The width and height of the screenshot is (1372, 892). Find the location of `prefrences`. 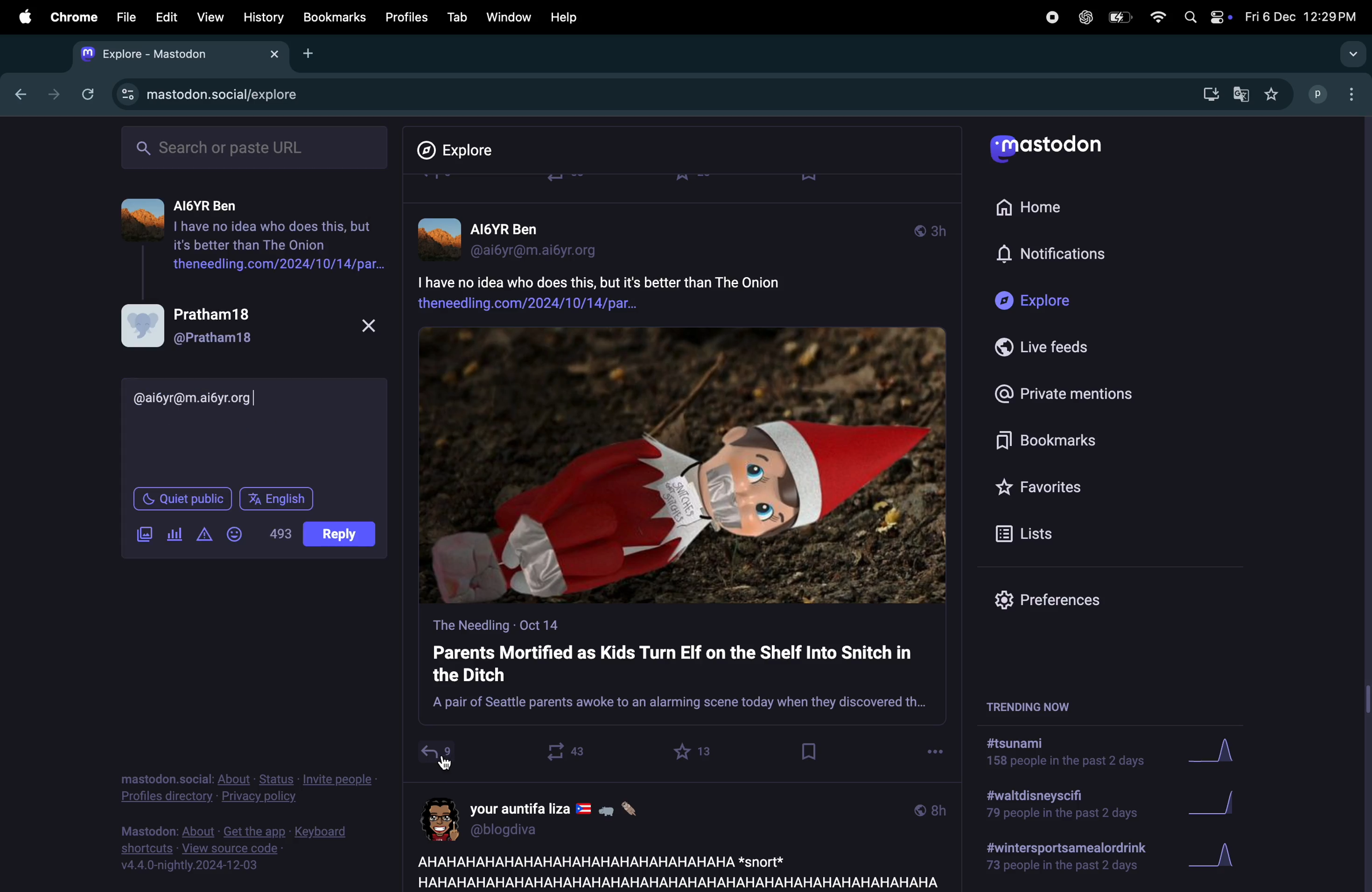

prefrences is located at coordinates (1057, 603).